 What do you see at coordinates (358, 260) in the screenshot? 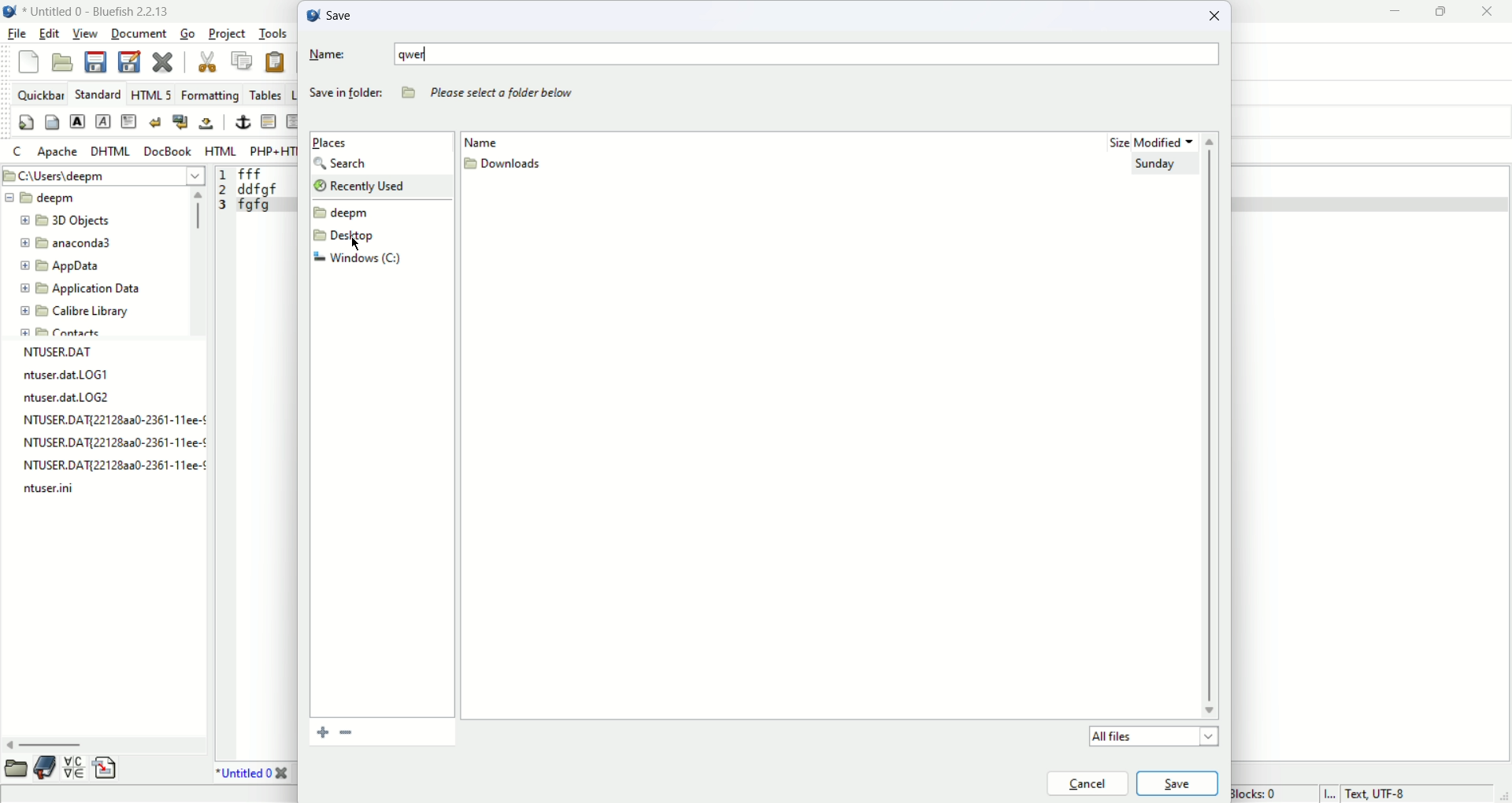
I see `window` at bounding box center [358, 260].